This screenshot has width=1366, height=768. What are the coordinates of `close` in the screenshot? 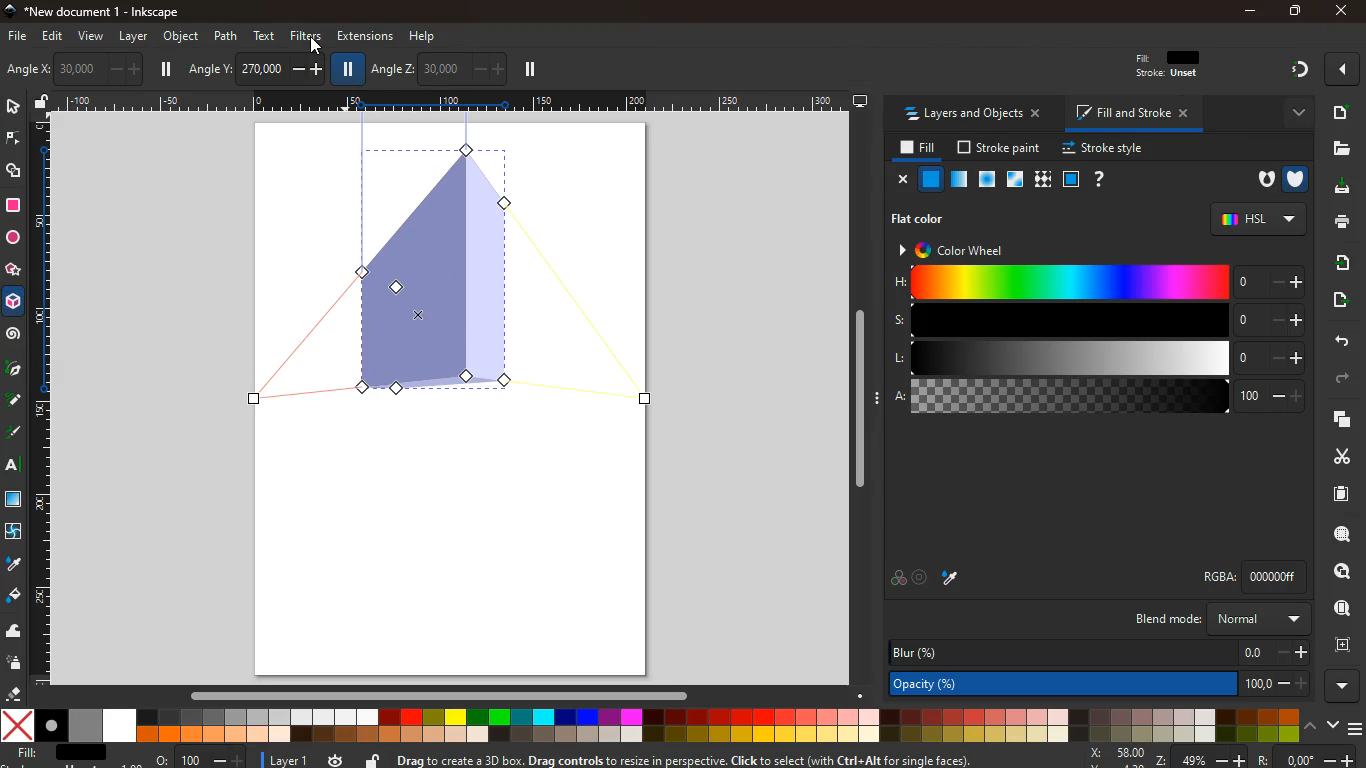 It's located at (1339, 12).